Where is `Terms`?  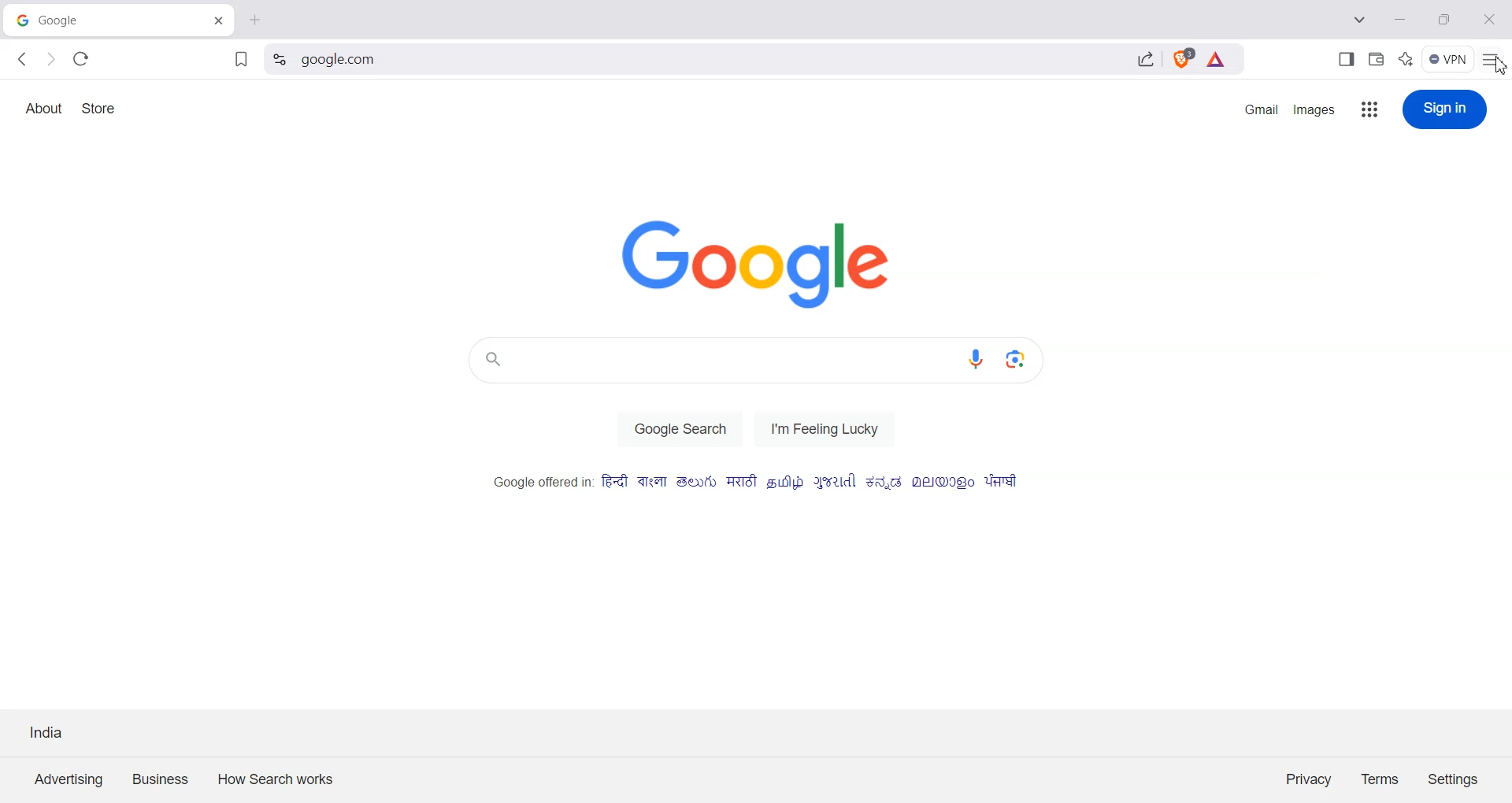
Terms is located at coordinates (1380, 778).